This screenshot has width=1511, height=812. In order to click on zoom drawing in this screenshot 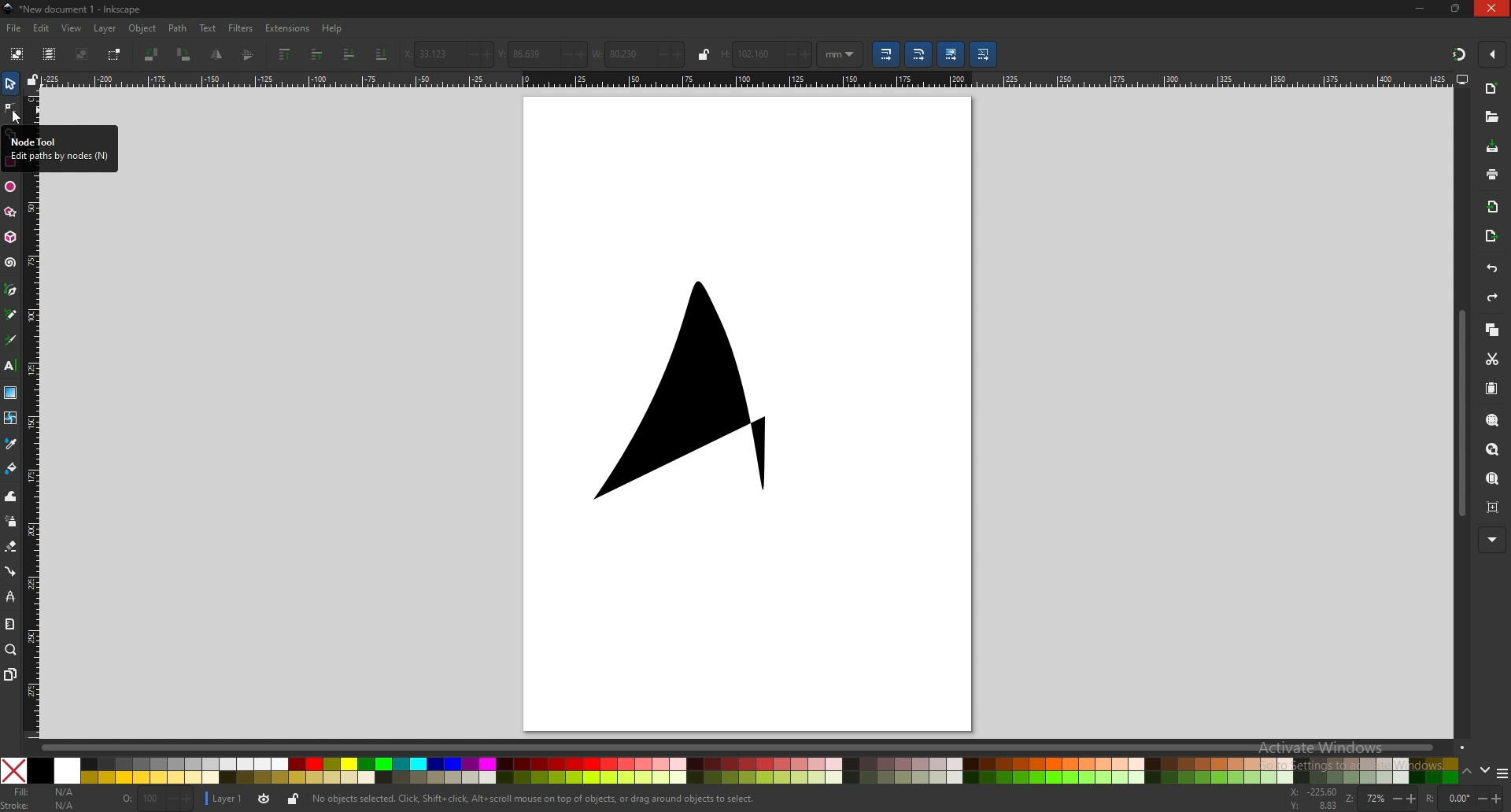, I will do `click(1494, 450)`.